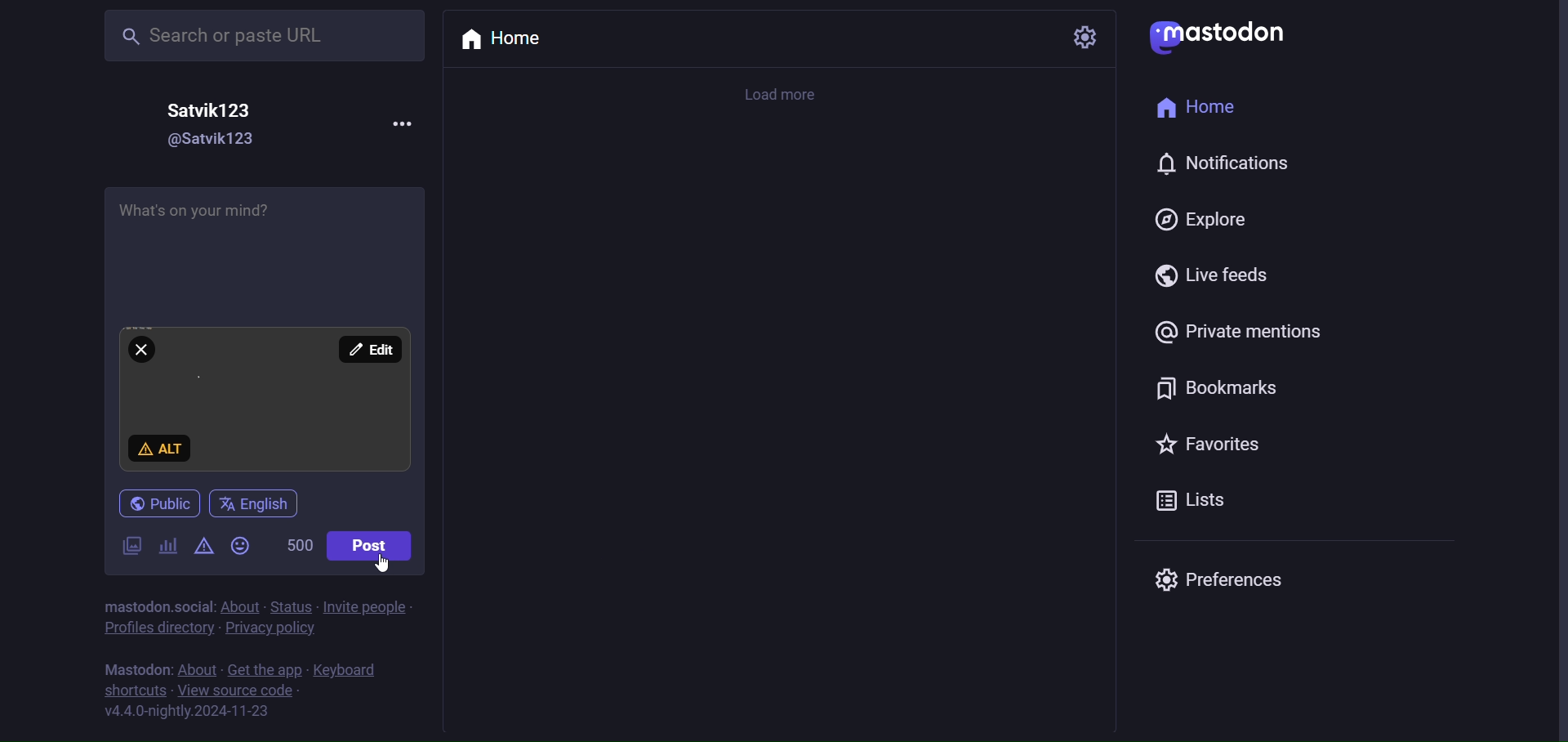  Describe the element at coordinates (134, 691) in the screenshot. I see `shortcut` at that location.